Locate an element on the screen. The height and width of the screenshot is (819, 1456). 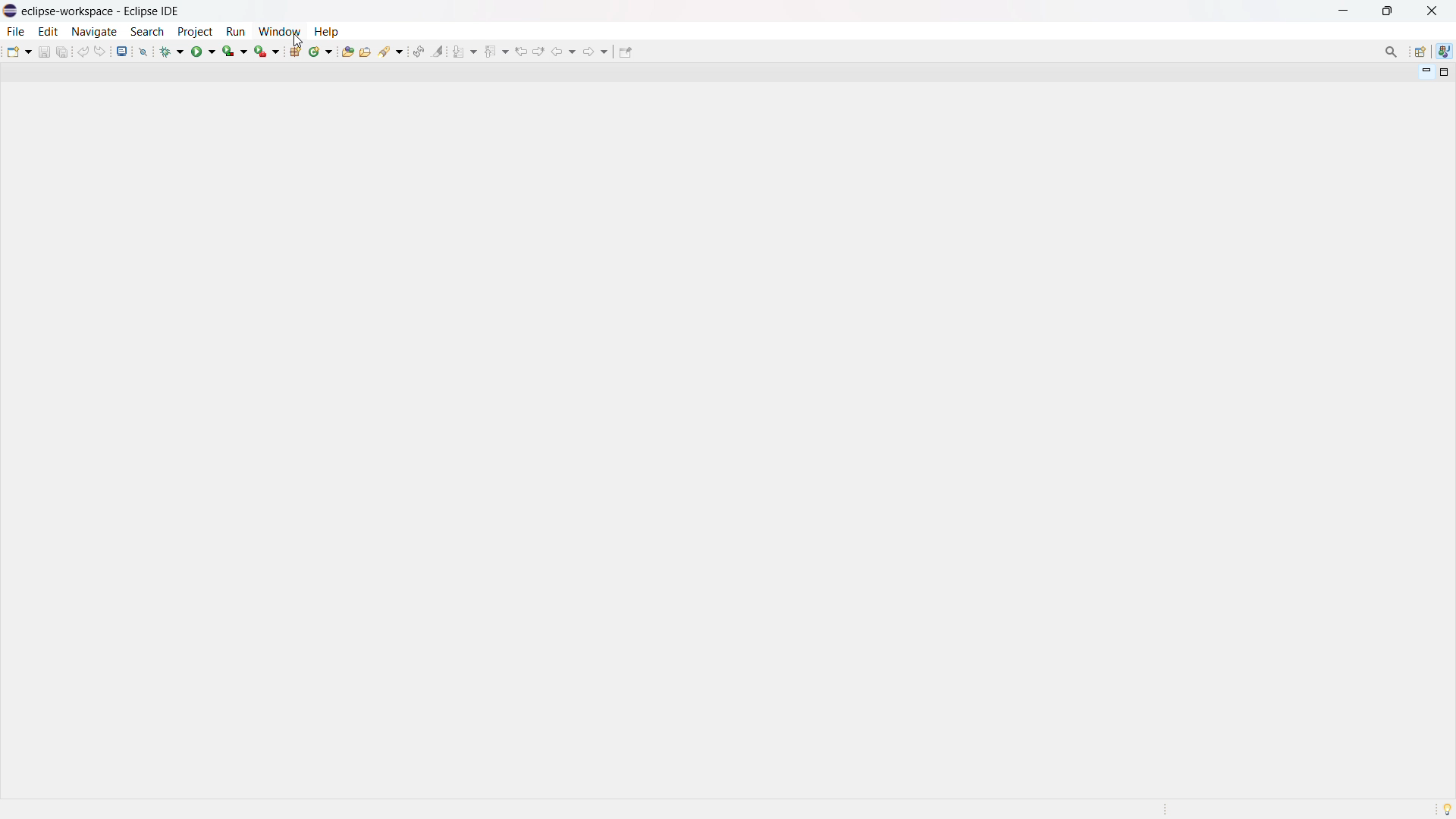
run is located at coordinates (235, 32).